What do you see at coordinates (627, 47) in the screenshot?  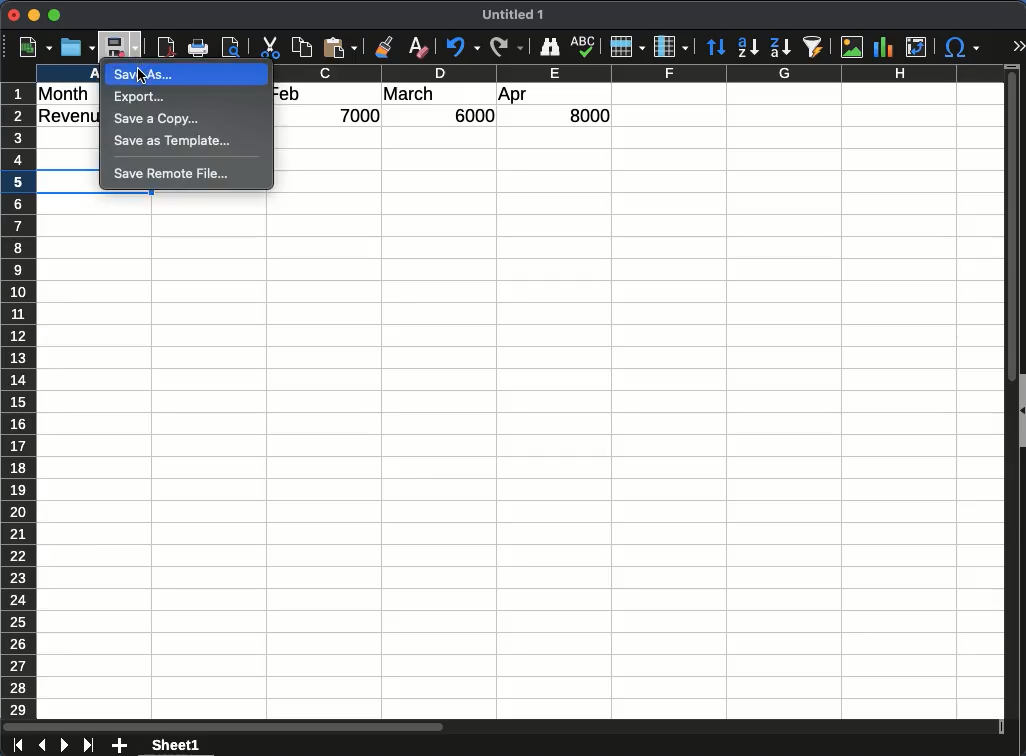 I see `row` at bounding box center [627, 47].